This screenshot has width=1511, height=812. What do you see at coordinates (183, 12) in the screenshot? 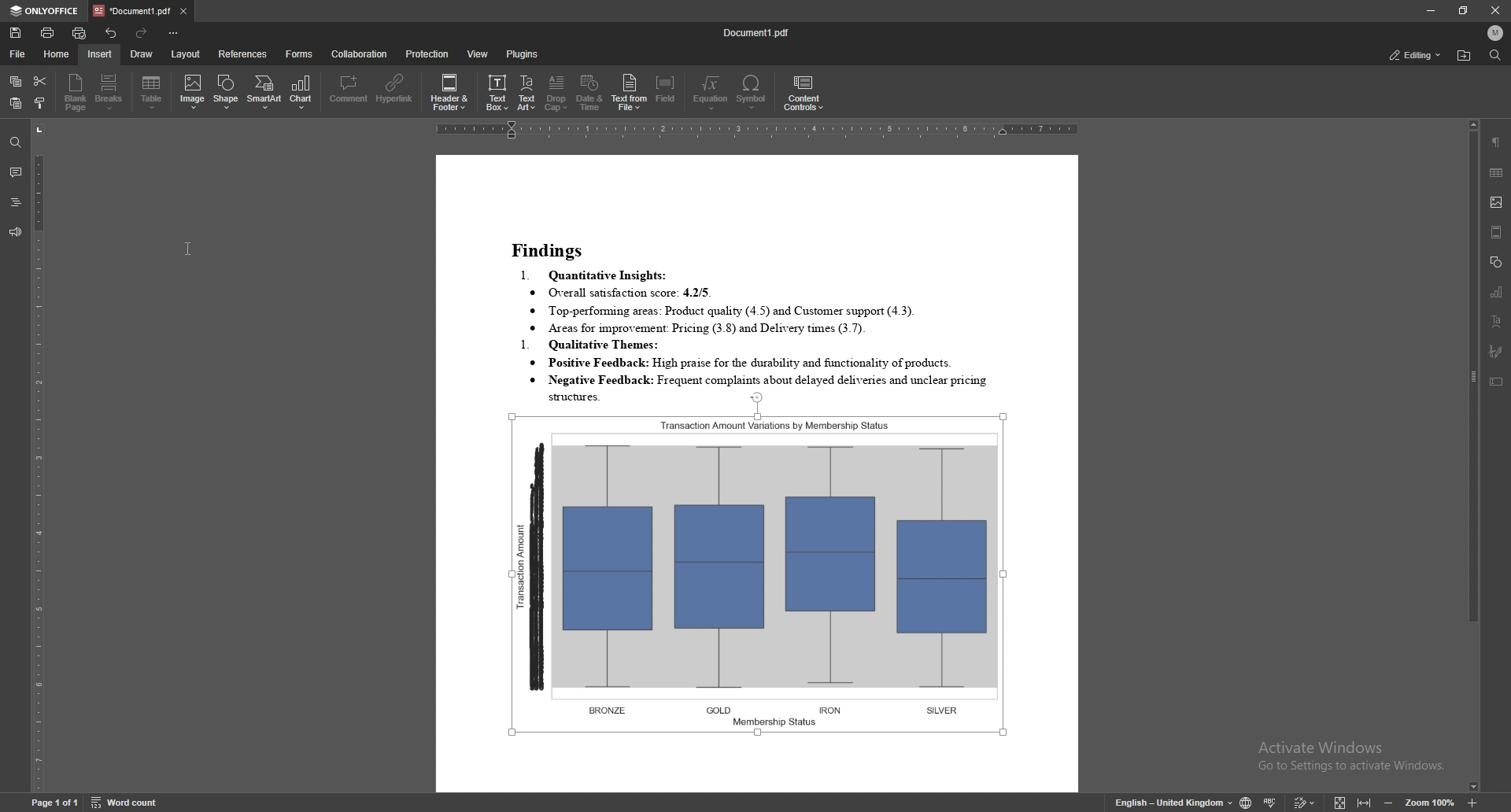
I see `close tab` at bounding box center [183, 12].